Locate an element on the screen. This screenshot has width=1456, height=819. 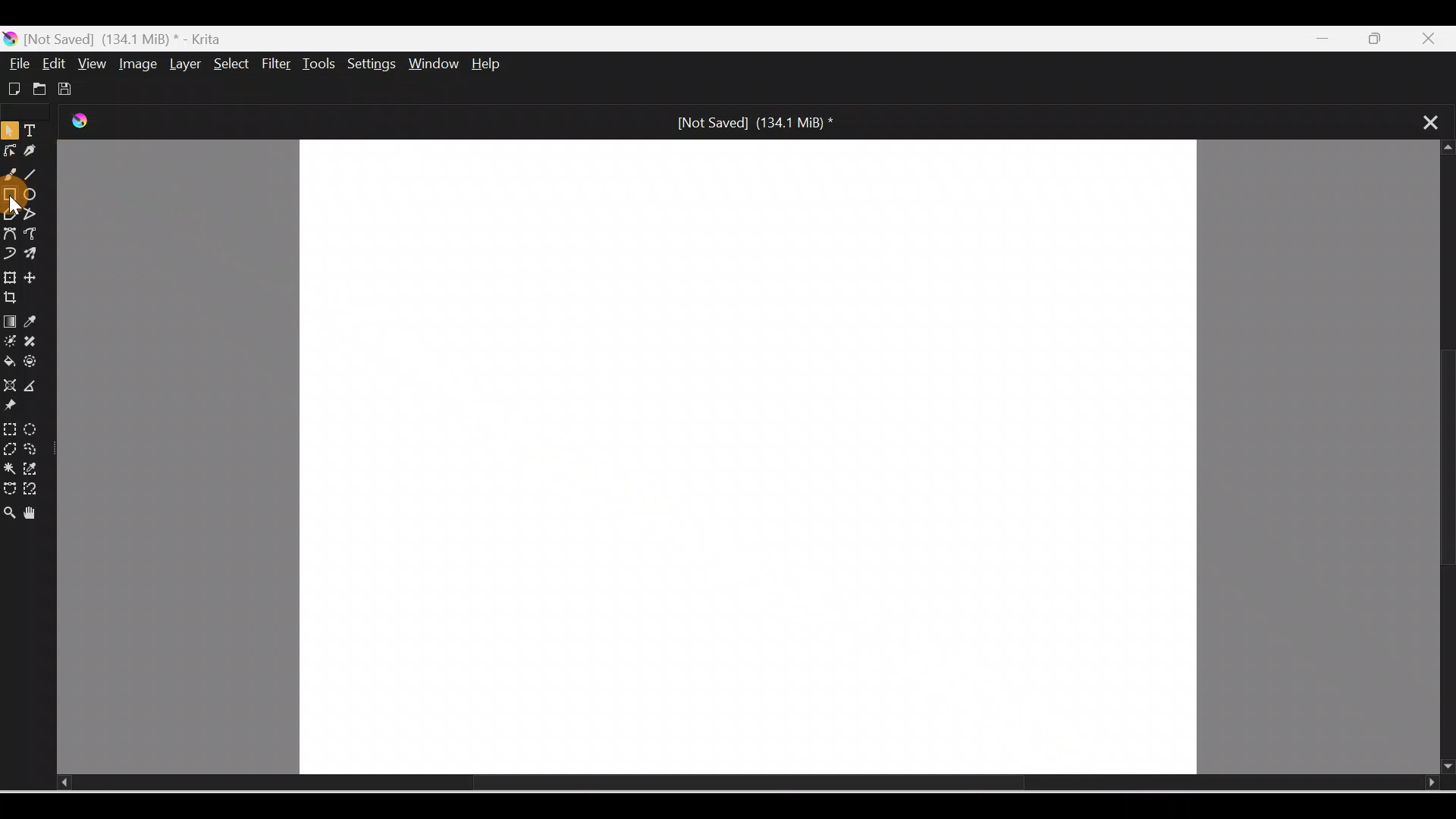
Canvas is located at coordinates (750, 456).